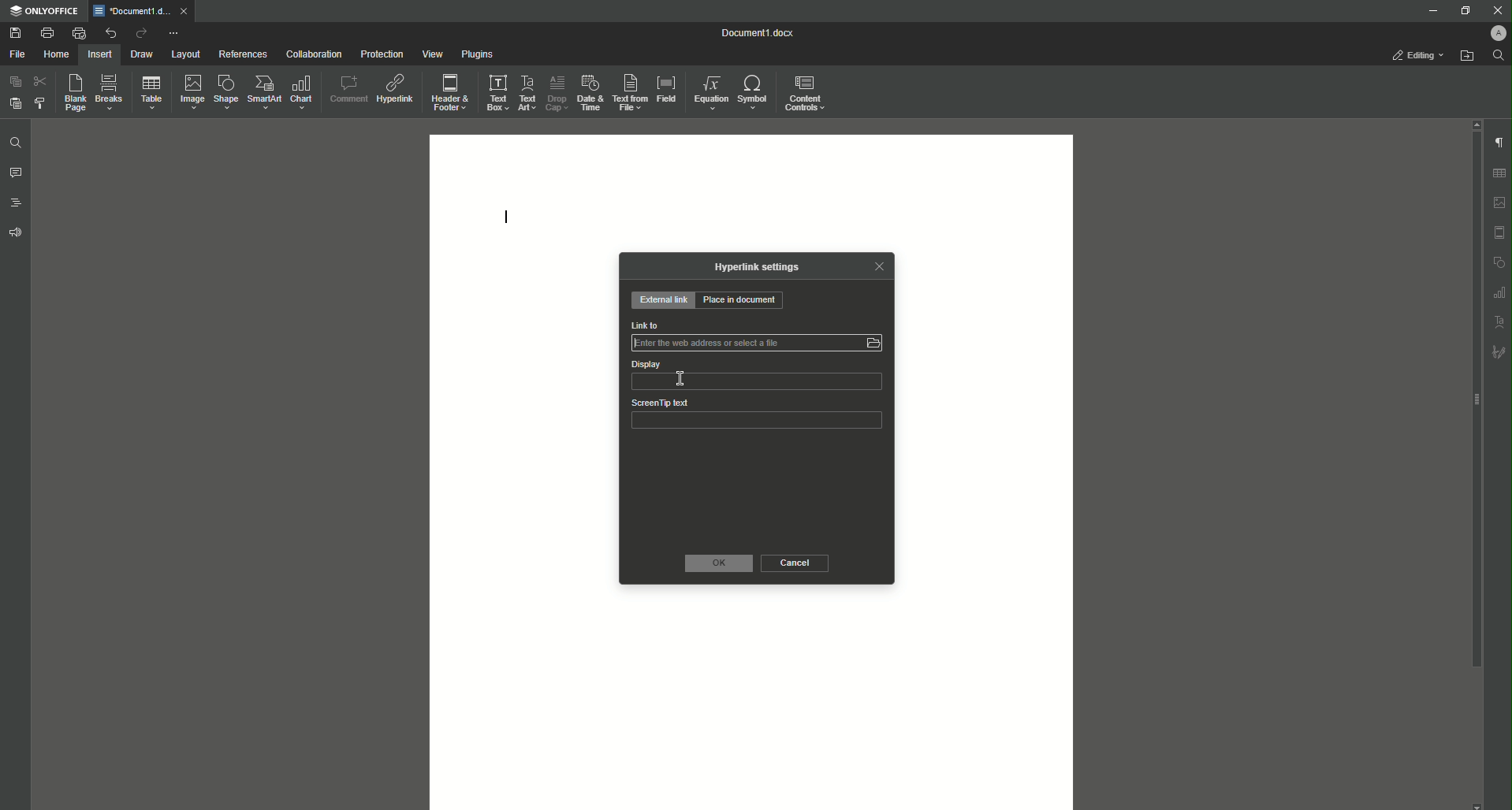  Describe the element at coordinates (74, 92) in the screenshot. I see `Blank Page` at that location.